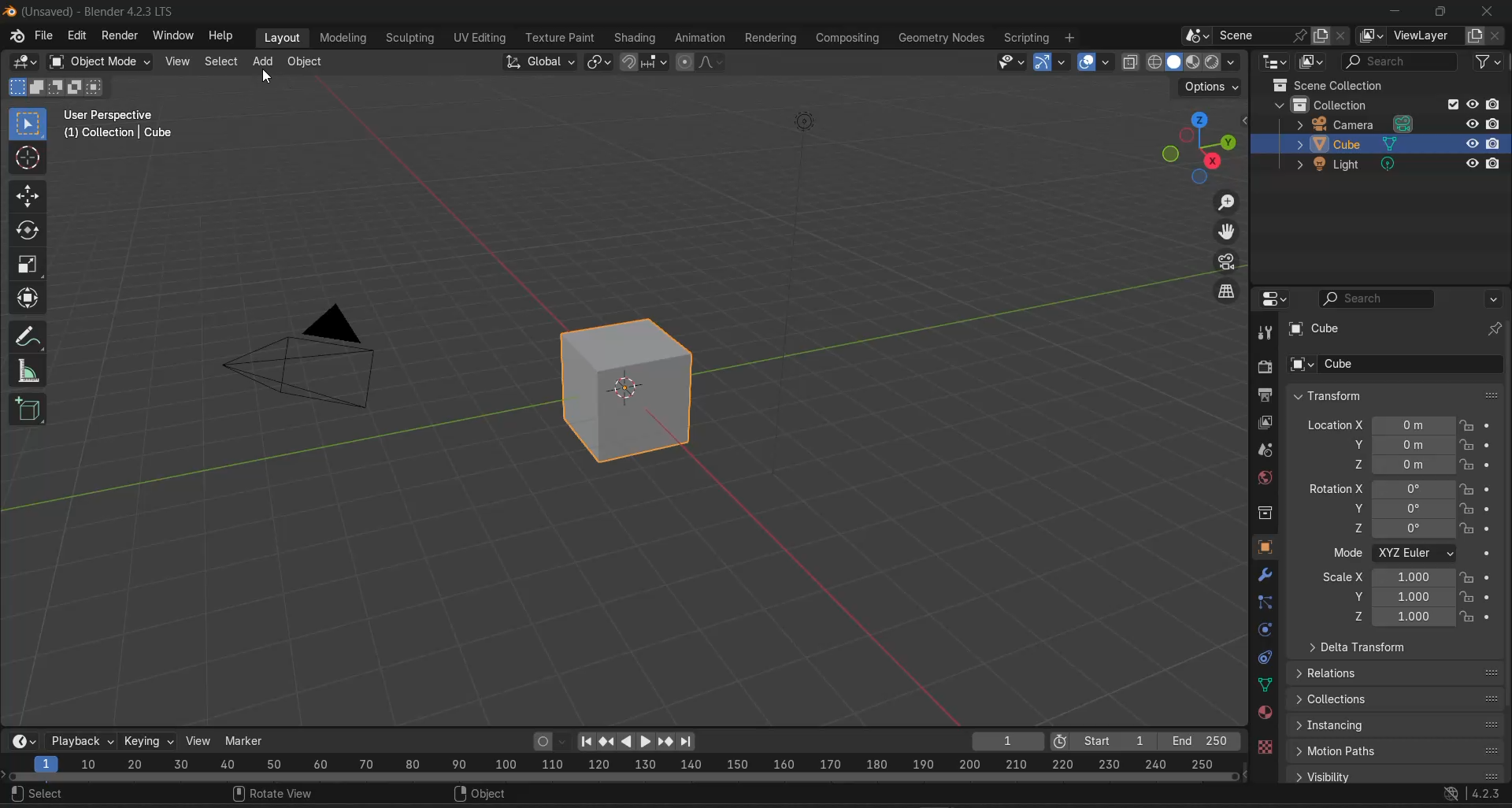 This screenshot has width=1512, height=808. Describe the element at coordinates (1266, 395) in the screenshot. I see `output` at that location.